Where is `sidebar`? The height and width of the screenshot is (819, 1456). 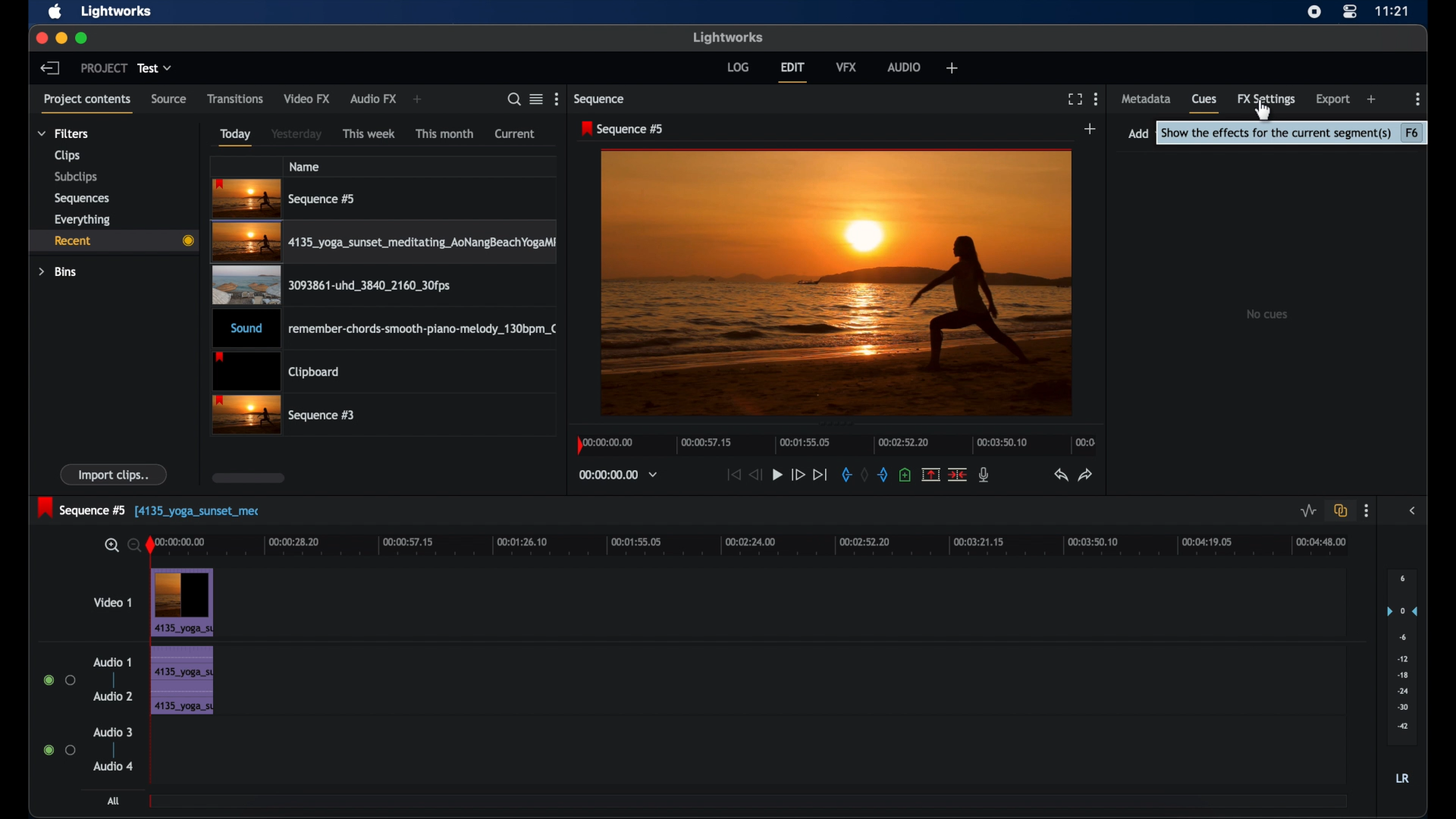 sidebar is located at coordinates (1415, 511).